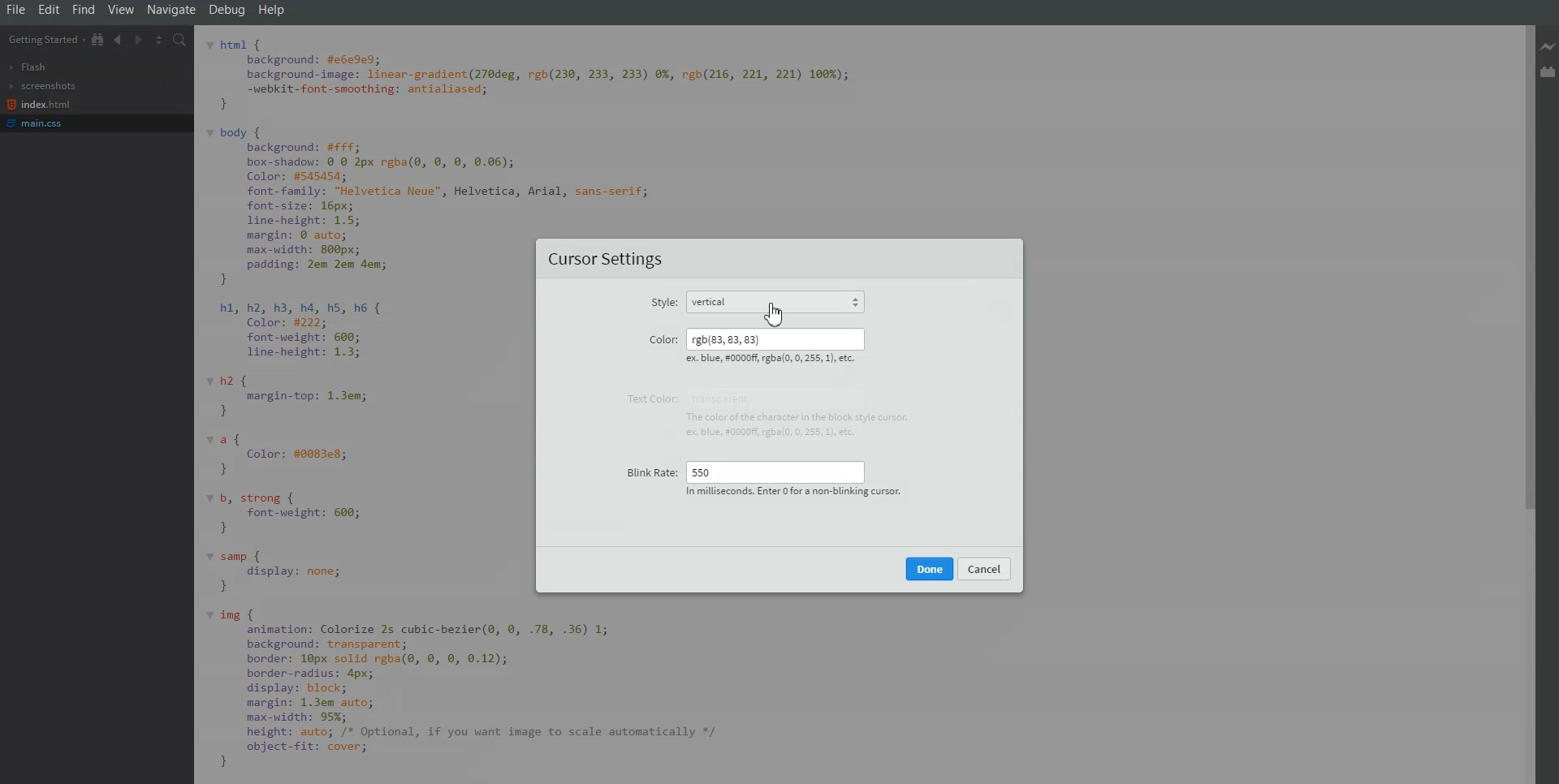 The image size is (1559, 784). Describe the element at coordinates (45, 39) in the screenshot. I see `Getting Started` at that location.